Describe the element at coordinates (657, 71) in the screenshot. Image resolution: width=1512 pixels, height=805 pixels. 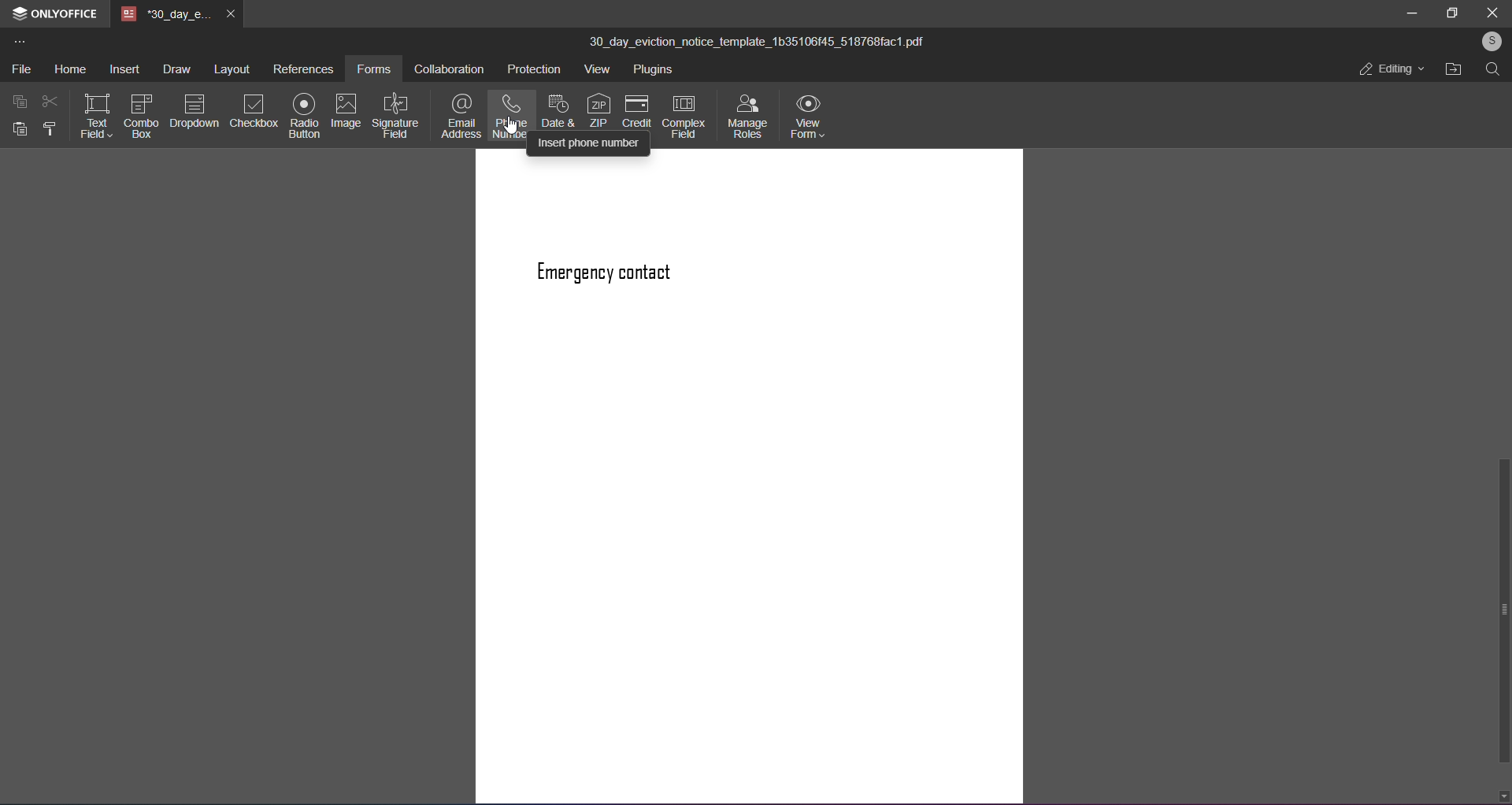
I see `plugins` at that location.